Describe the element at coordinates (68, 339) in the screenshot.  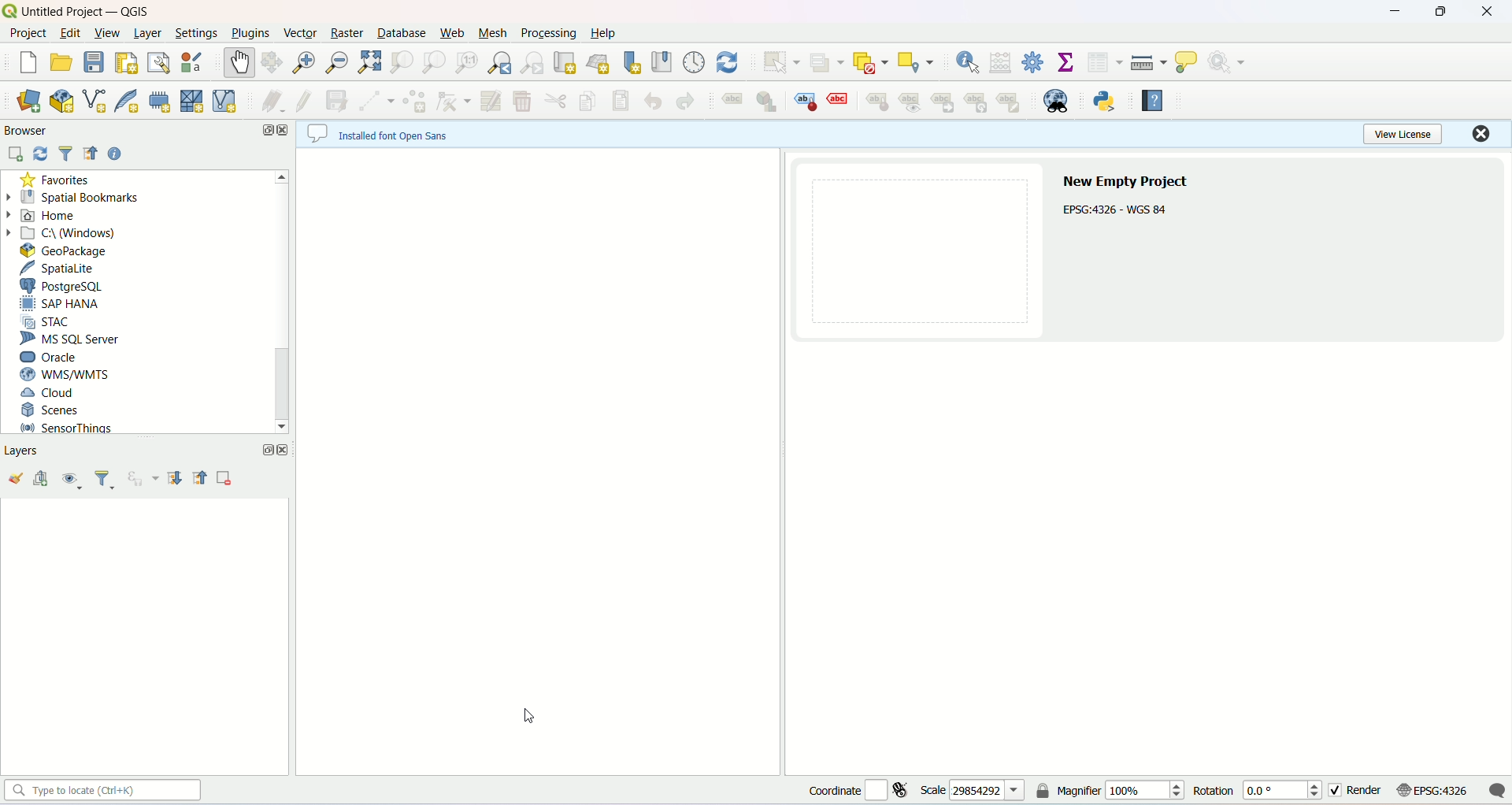
I see `MS SQL server` at that location.